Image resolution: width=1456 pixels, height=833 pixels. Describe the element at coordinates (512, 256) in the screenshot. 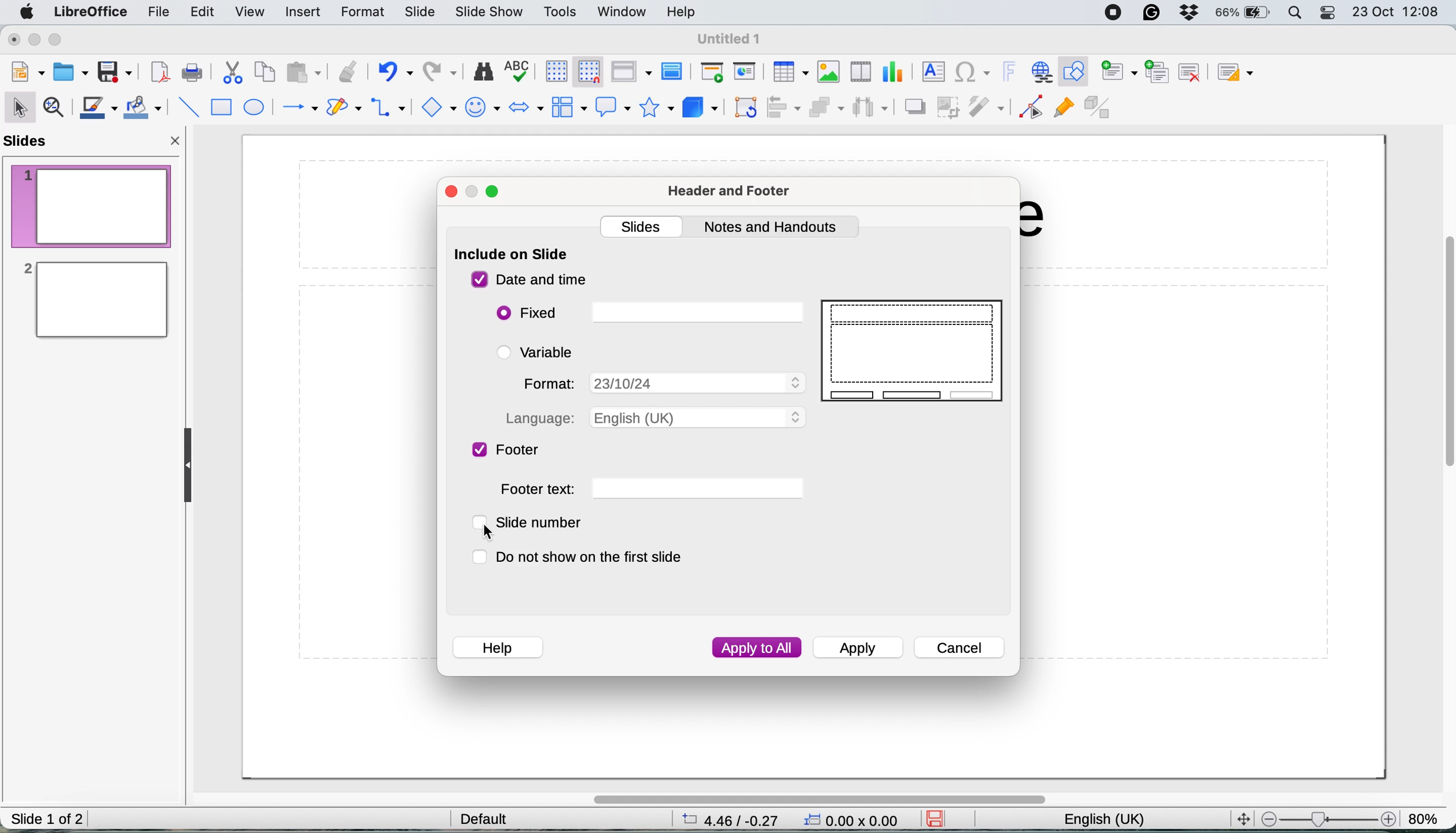

I see `include on slide` at that location.